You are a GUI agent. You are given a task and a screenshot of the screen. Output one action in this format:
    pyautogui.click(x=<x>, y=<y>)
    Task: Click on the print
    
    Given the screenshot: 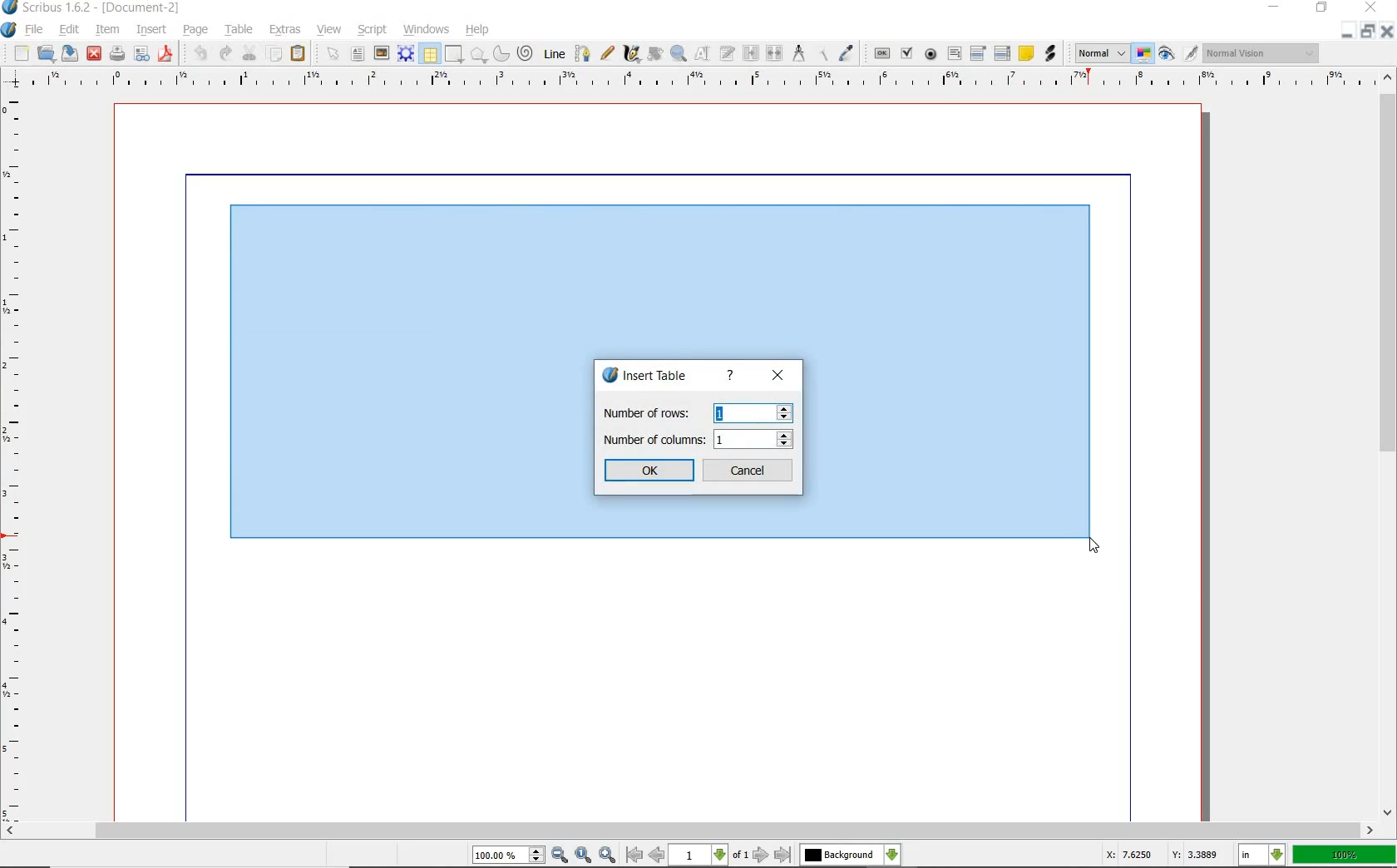 What is the action you would take?
    pyautogui.click(x=116, y=53)
    